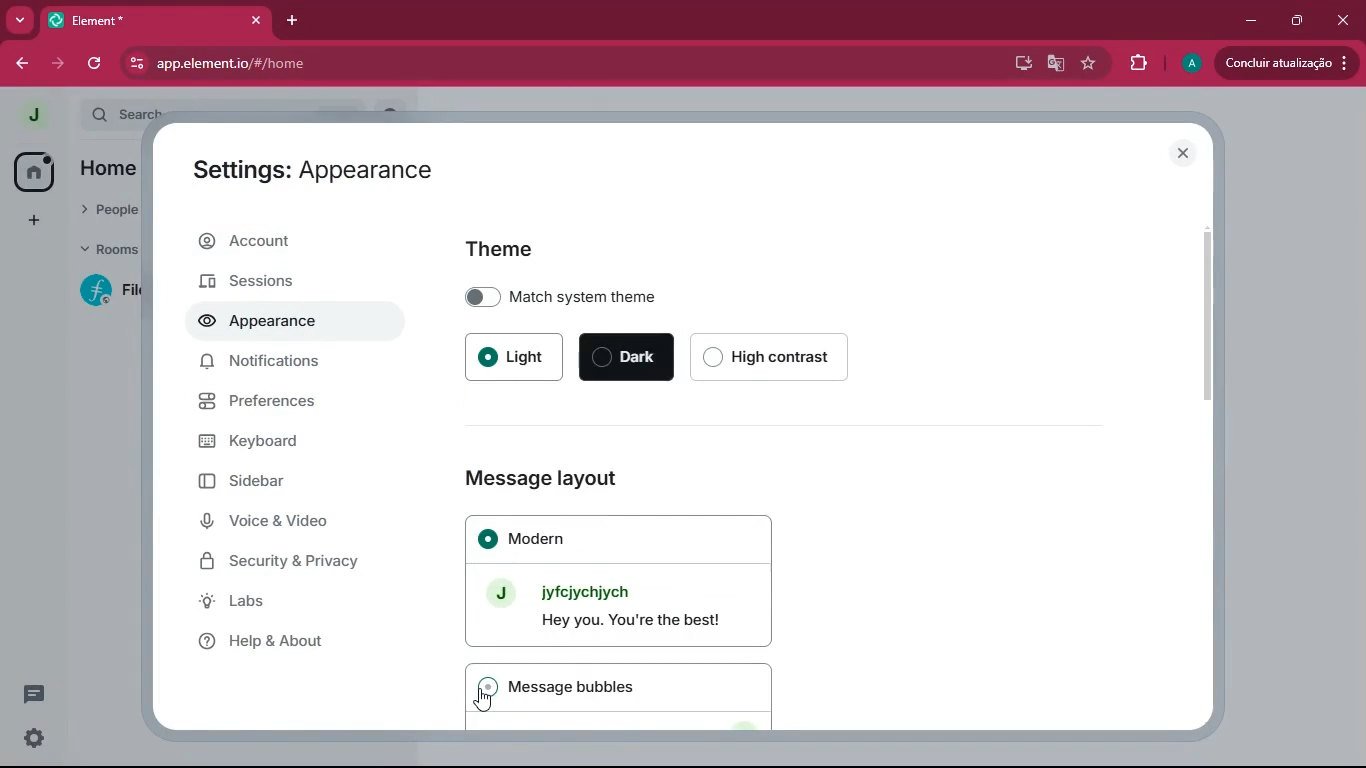  What do you see at coordinates (111, 291) in the screenshot?
I see `filecoin lotus implementation` at bounding box center [111, 291].